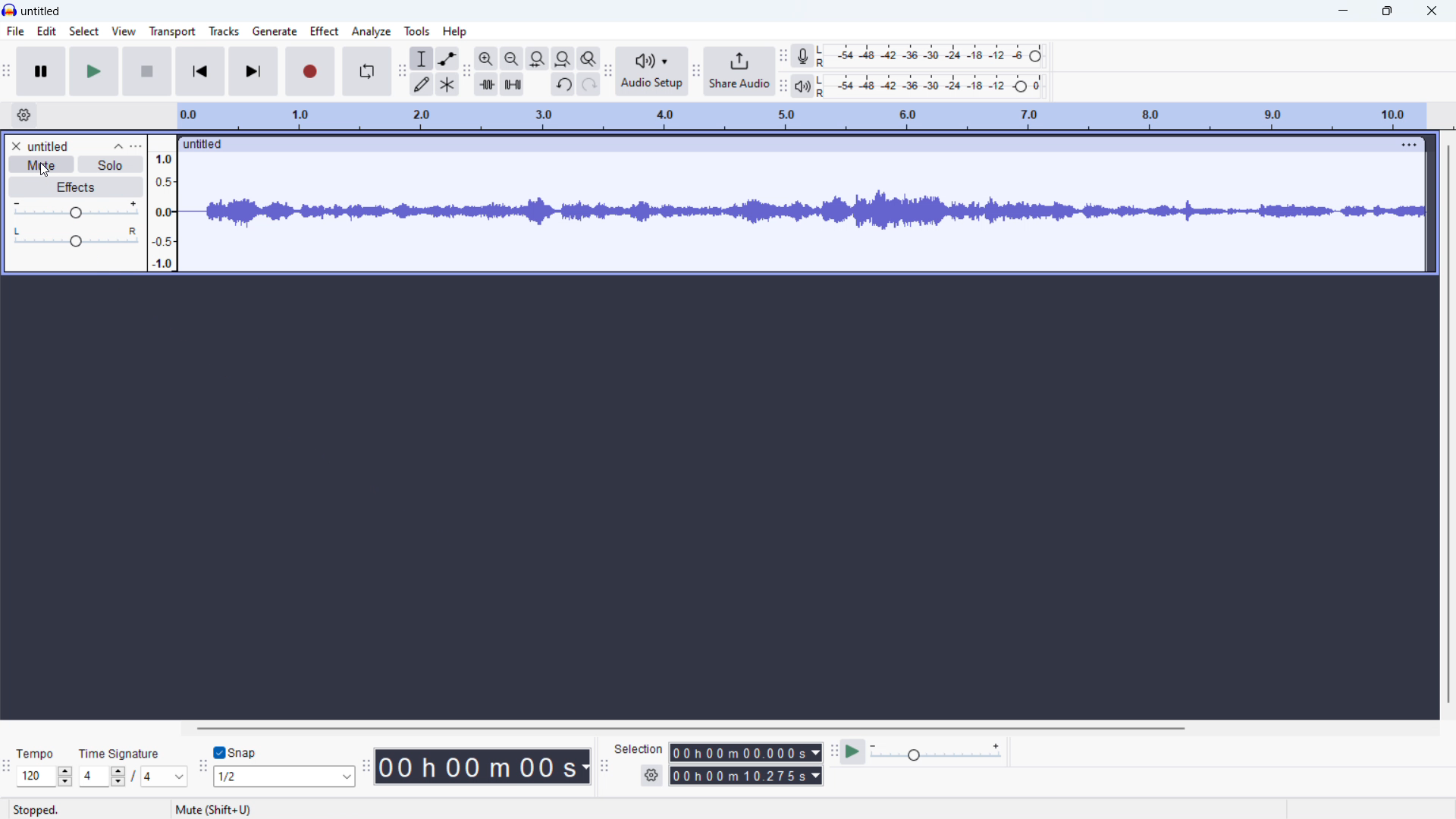 The image size is (1456, 819). I want to click on file, so click(14, 31).